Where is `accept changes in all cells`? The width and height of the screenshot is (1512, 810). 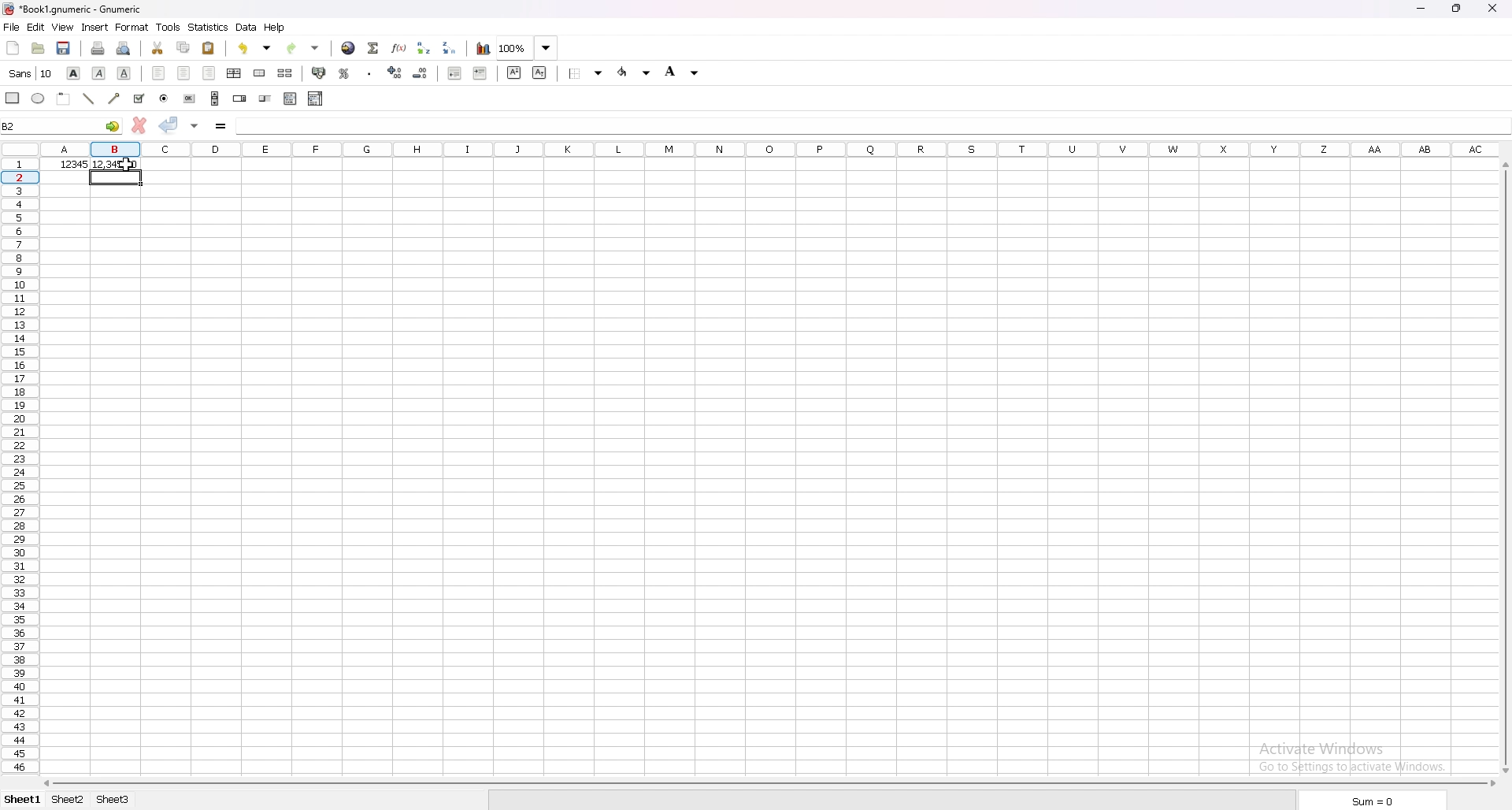
accept changes in all cells is located at coordinates (195, 126).